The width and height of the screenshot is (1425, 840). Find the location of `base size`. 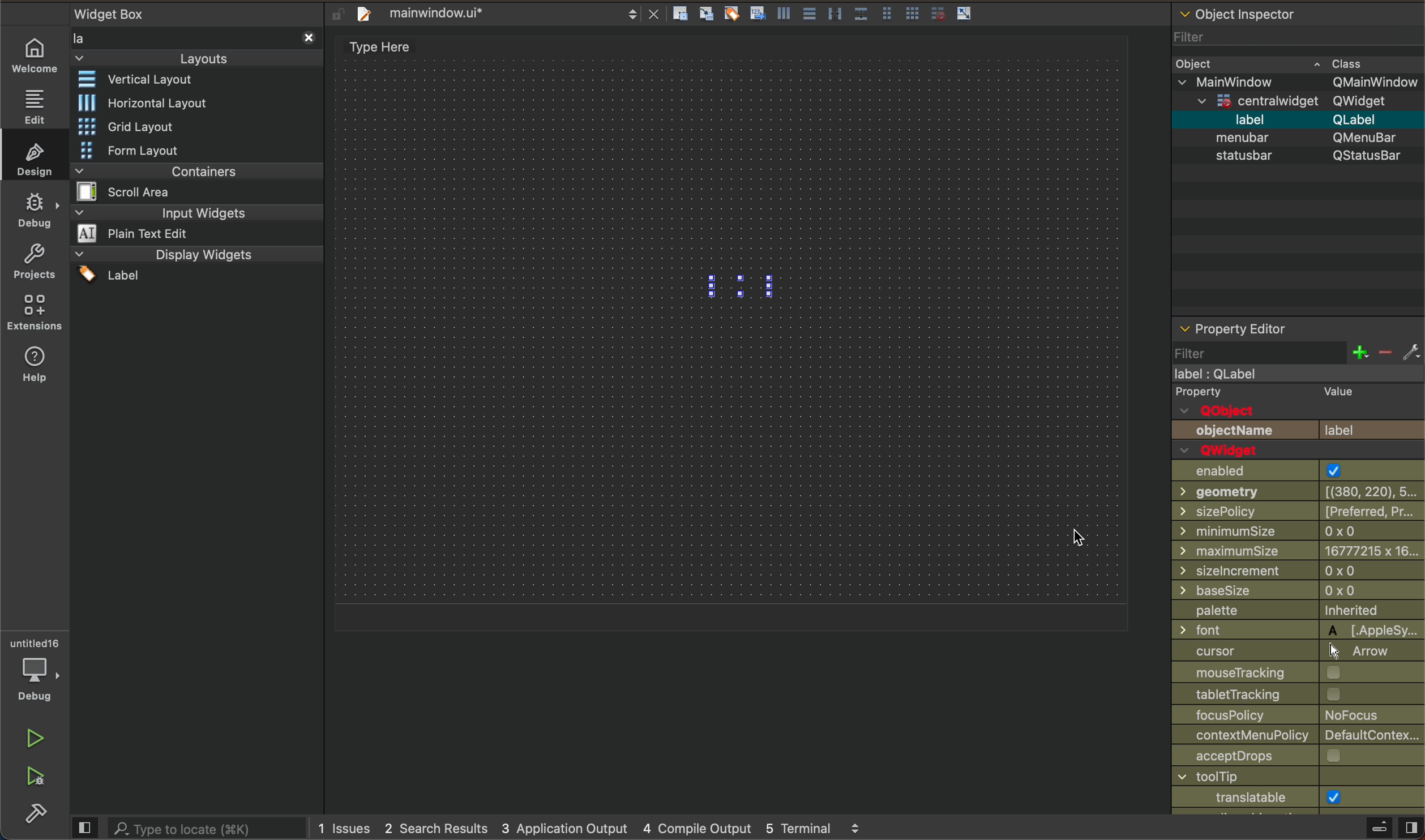

base size is located at coordinates (1296, 592).